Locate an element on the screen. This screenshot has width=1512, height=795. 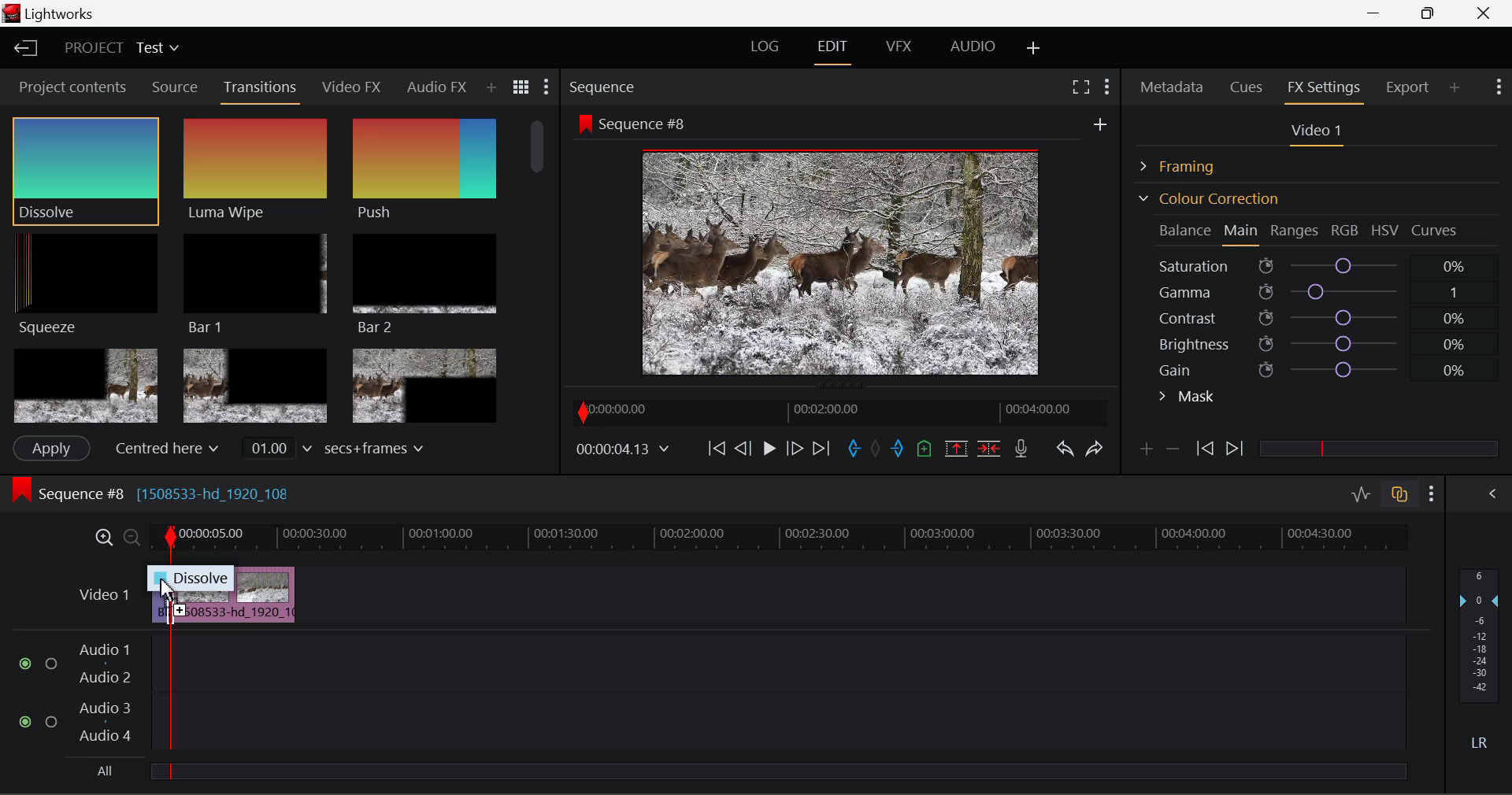
Show Settings is located at coordinates (1432, 494).